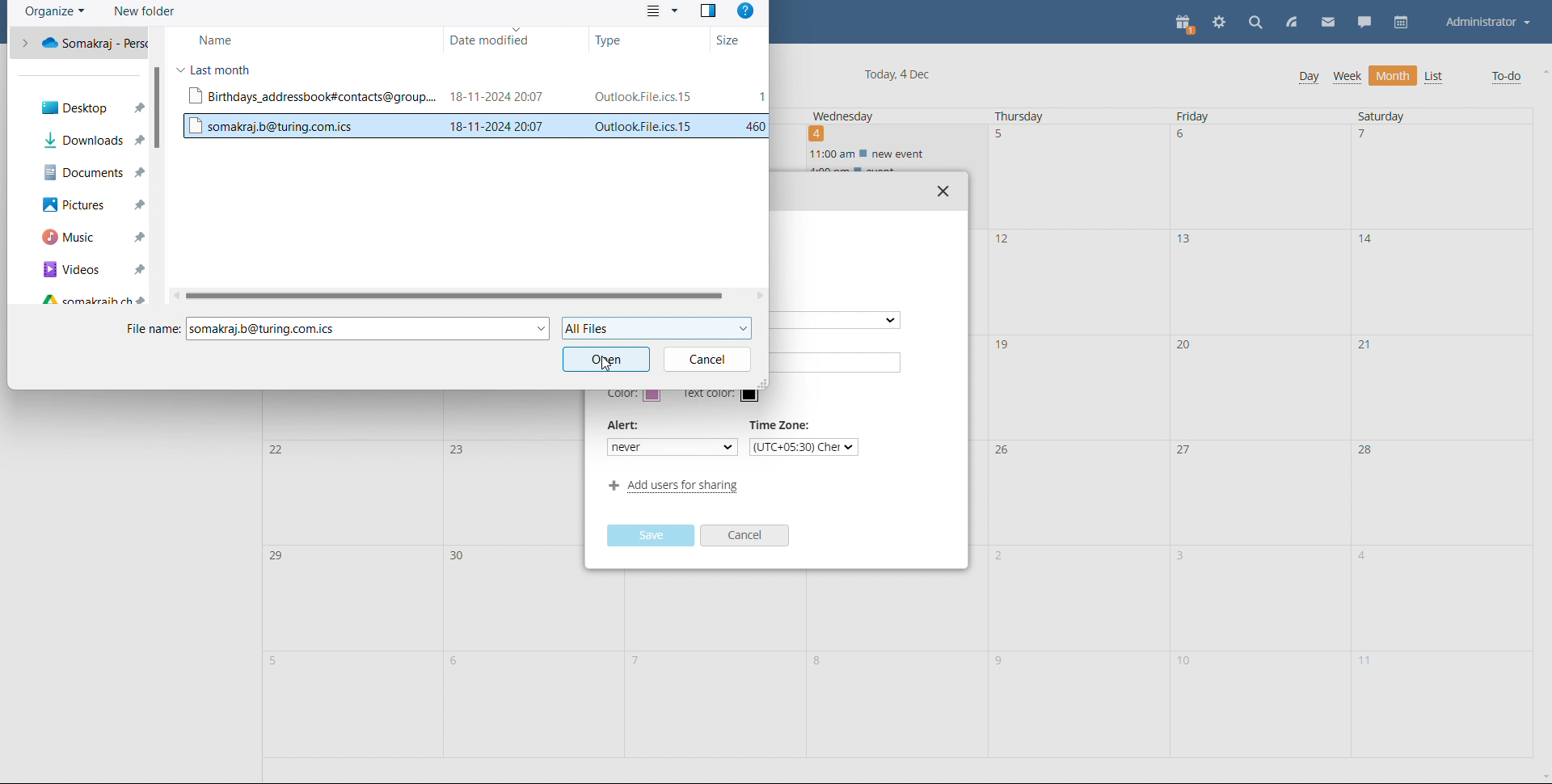 The height and width of the screenshot is (784, 1552). I want to click on downloads, so click(93, 140).